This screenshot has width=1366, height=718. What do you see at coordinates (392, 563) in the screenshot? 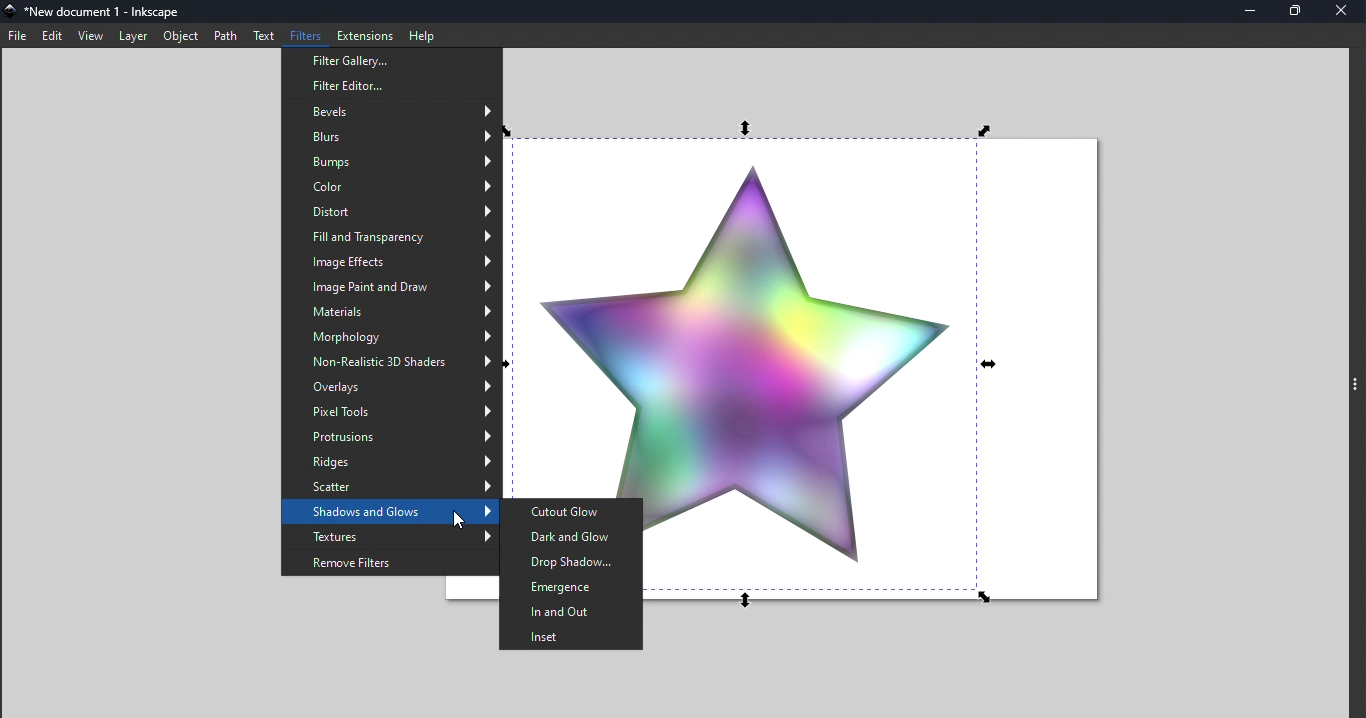
I see `Remove filter` at bounding box center [392, 563].